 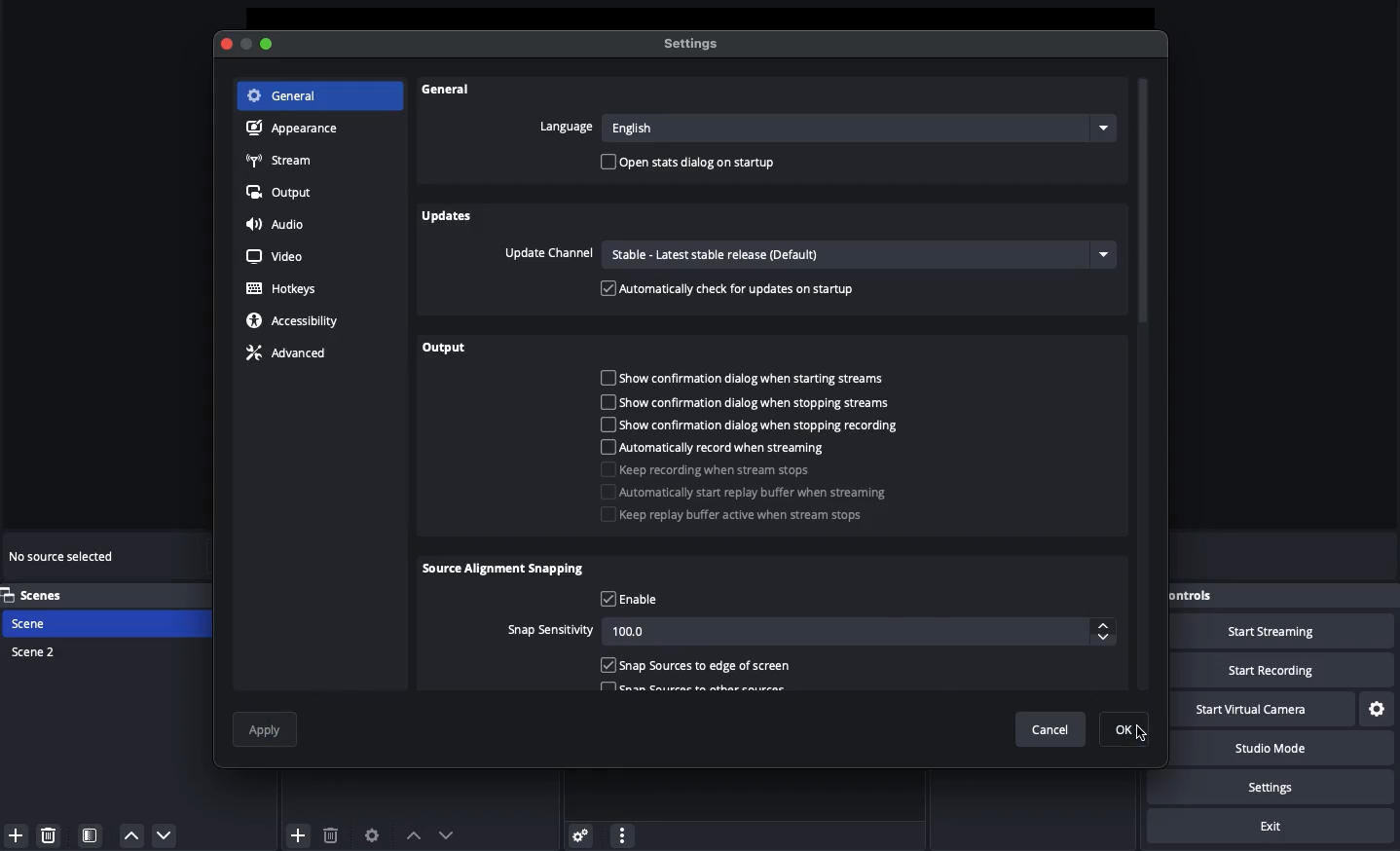 I want to click on Accessibility , so click(x=294, y=321).